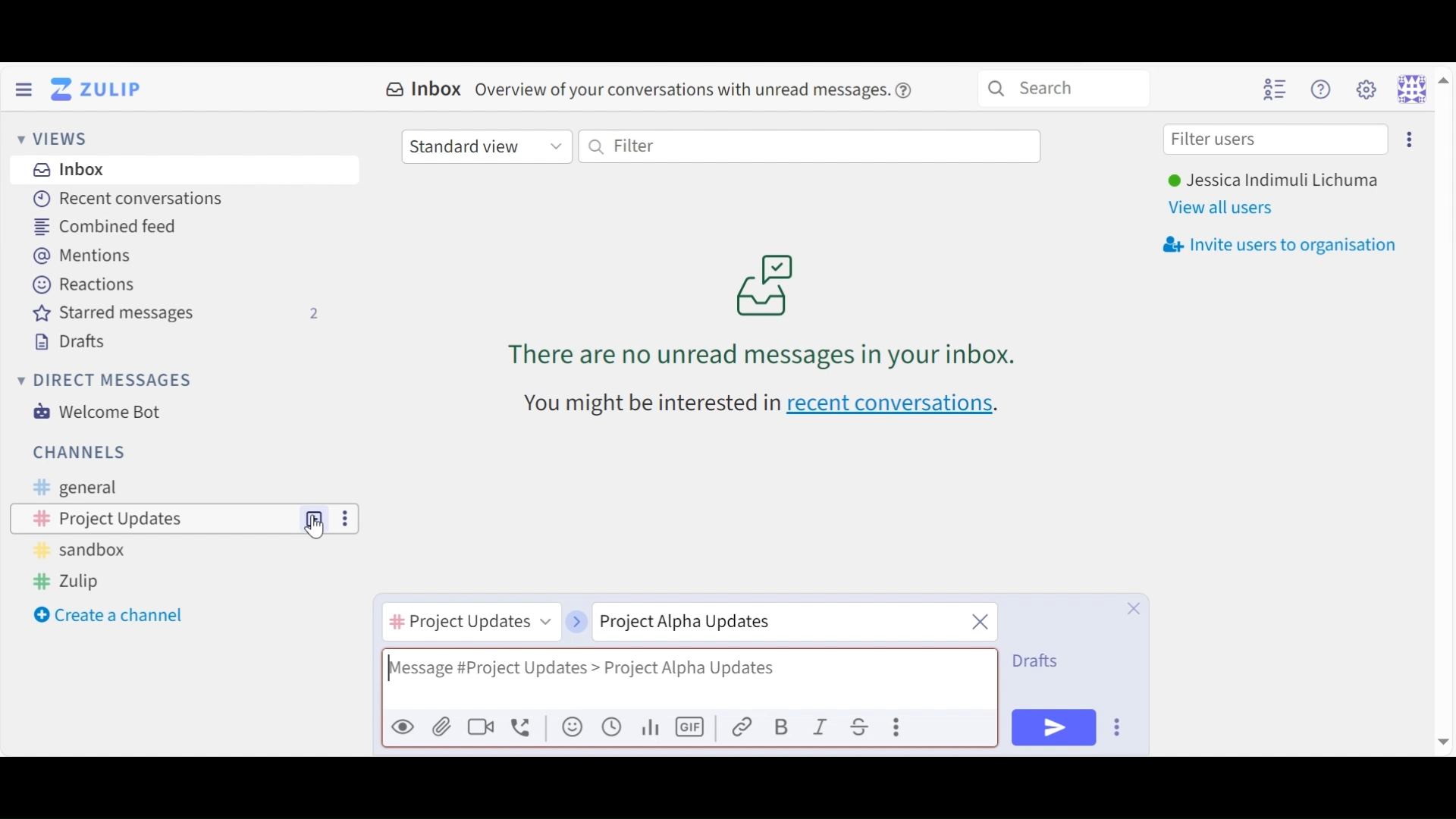 Image resolution: width=1456 pixels, height=819 pixels. I want to click on Add an emoji, so click(573, 727).